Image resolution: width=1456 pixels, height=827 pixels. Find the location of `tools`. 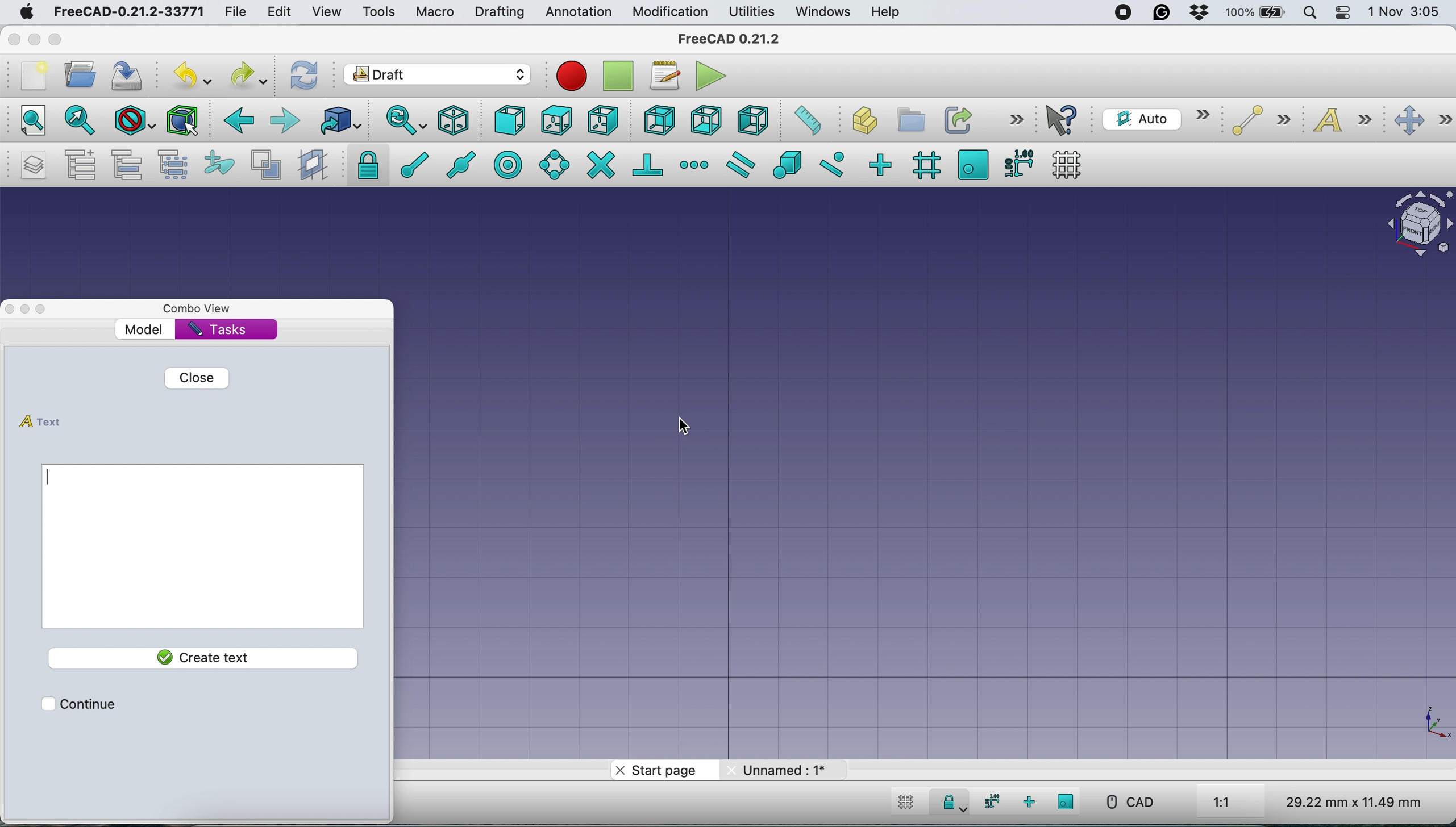

tools is located at coordinates (378, 12).